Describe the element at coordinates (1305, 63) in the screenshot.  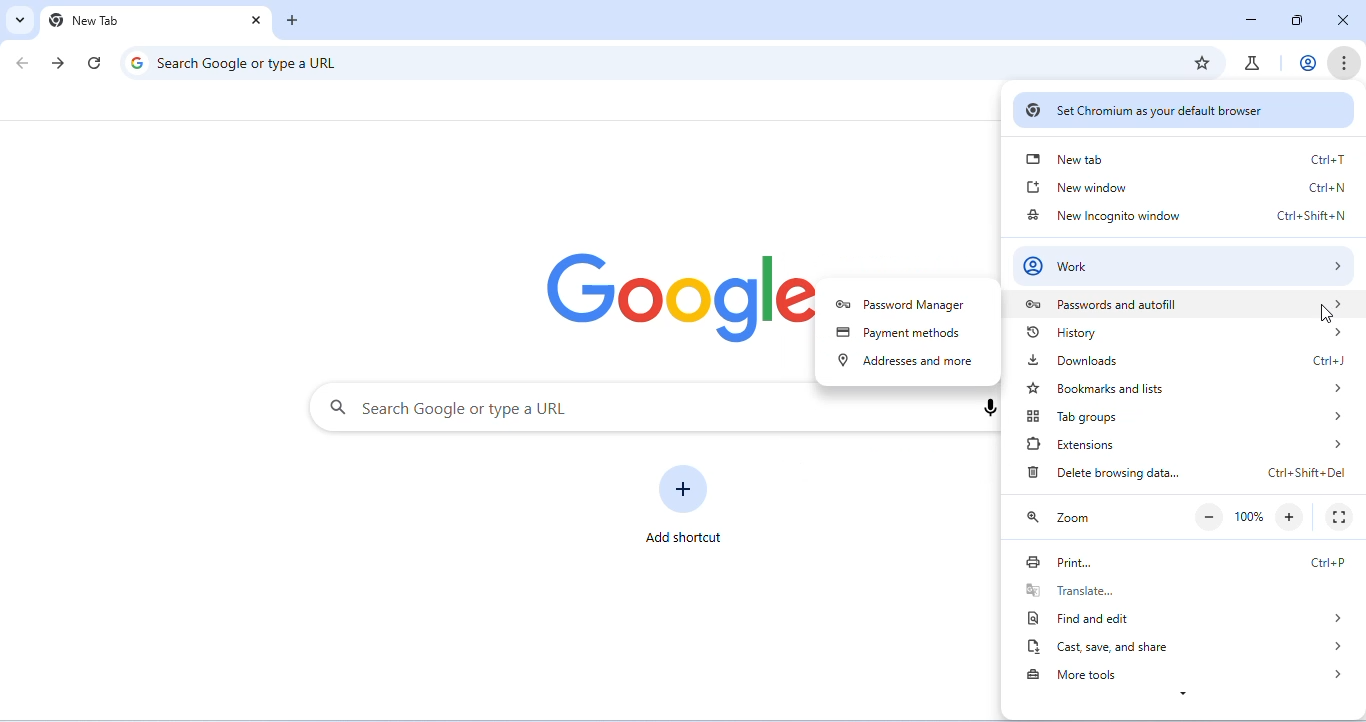
I see `account` at that location.